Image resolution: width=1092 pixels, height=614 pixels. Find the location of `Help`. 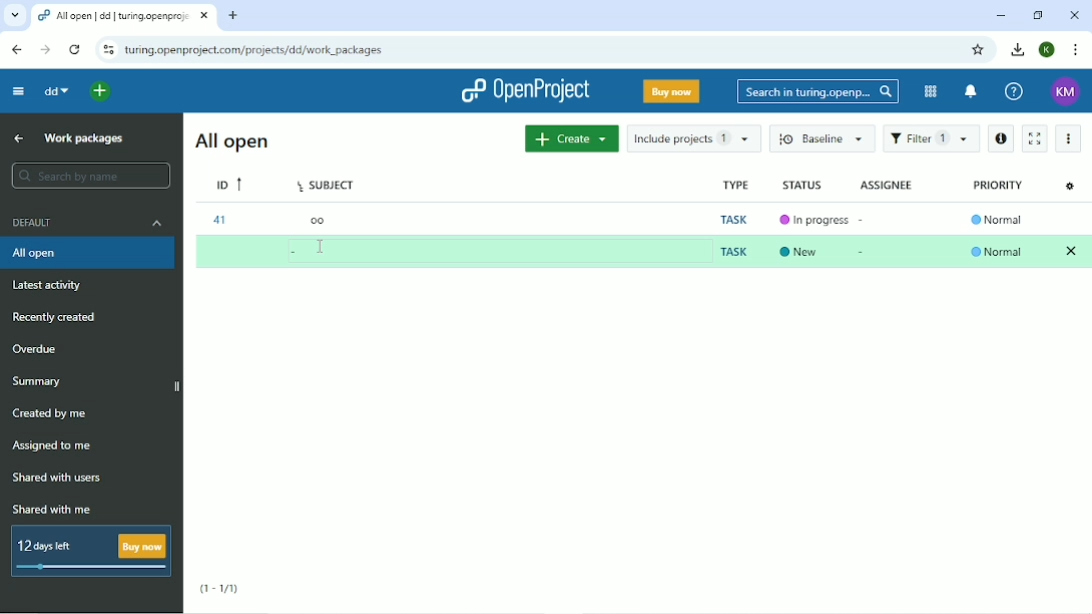

Help is located at coordinates (1014, 92).